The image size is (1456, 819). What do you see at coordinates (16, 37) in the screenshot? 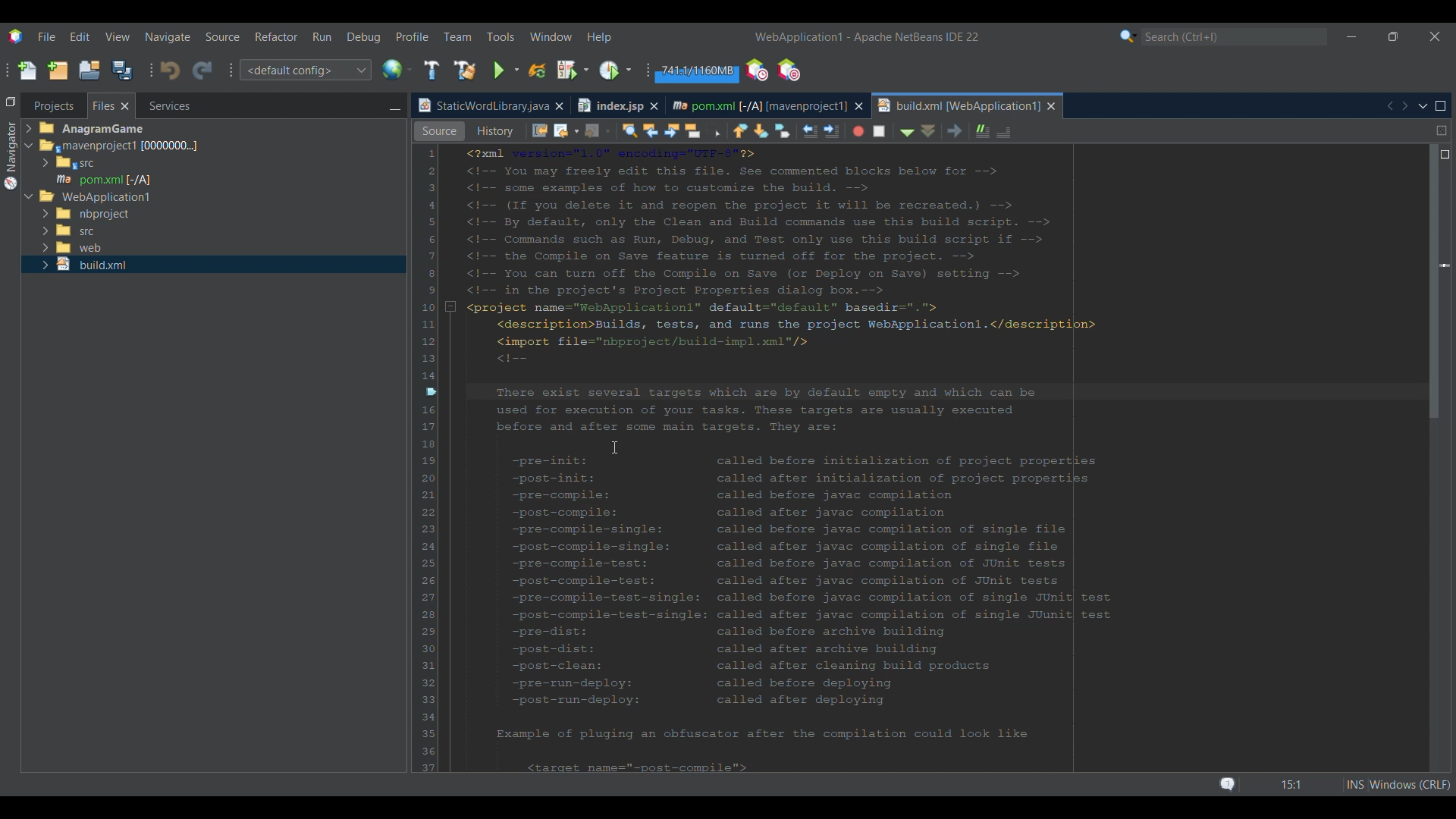
I see `Software logo` at bounding box center [16, 37].